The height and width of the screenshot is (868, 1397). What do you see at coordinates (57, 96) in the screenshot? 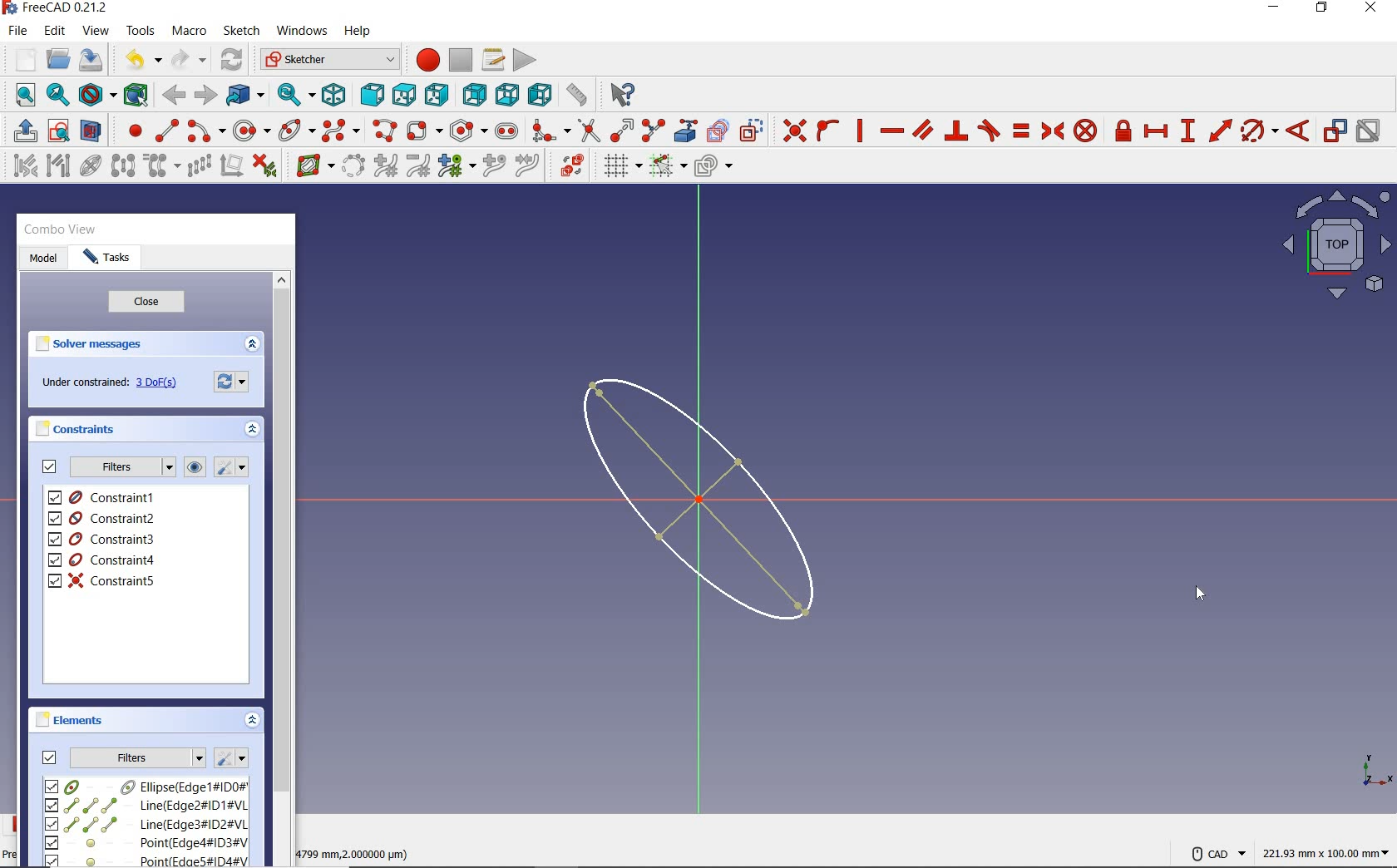
I see `fit selection` at bounding box center [57, 96].